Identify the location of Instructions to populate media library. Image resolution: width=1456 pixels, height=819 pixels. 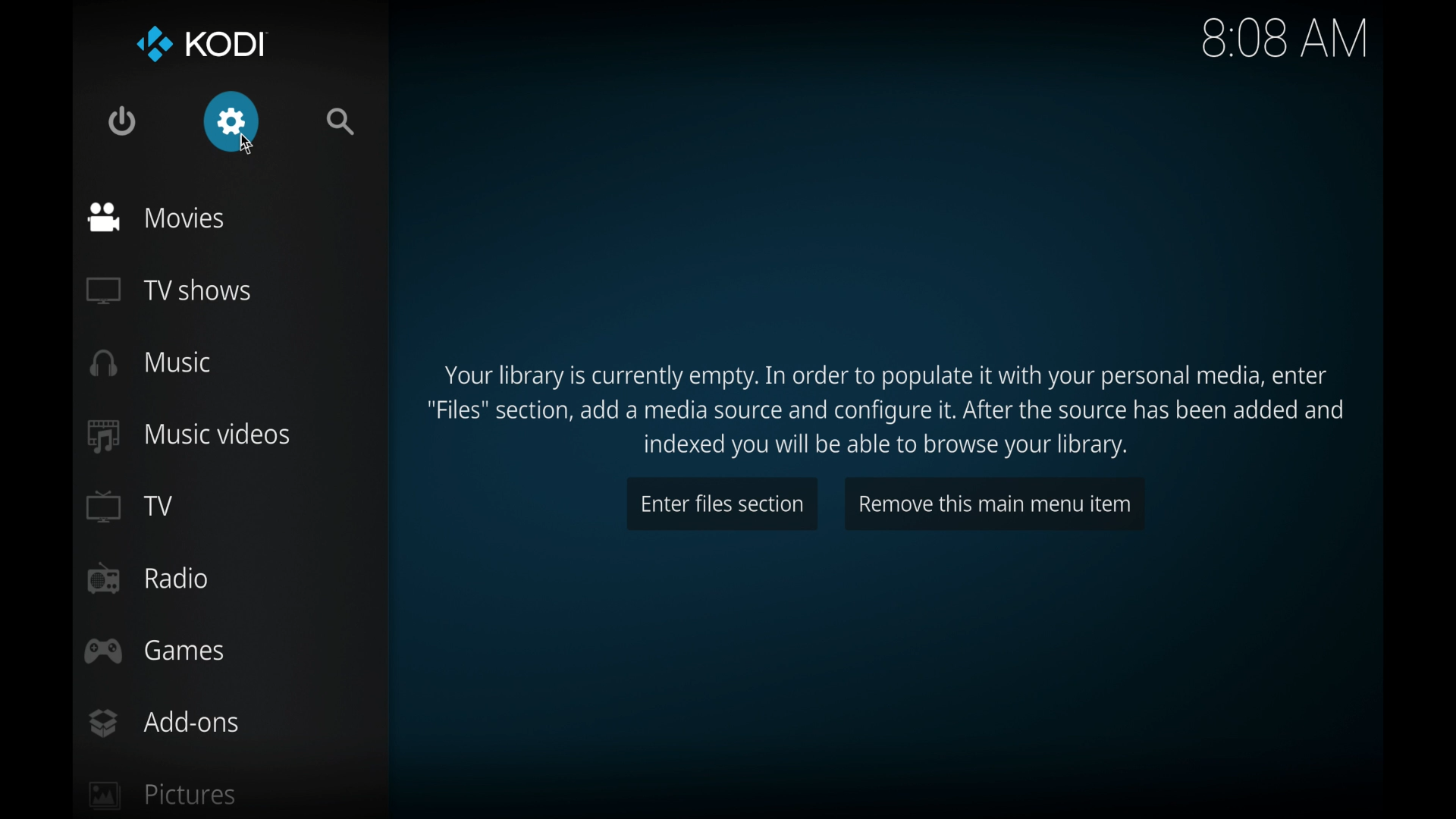
(889, 410).